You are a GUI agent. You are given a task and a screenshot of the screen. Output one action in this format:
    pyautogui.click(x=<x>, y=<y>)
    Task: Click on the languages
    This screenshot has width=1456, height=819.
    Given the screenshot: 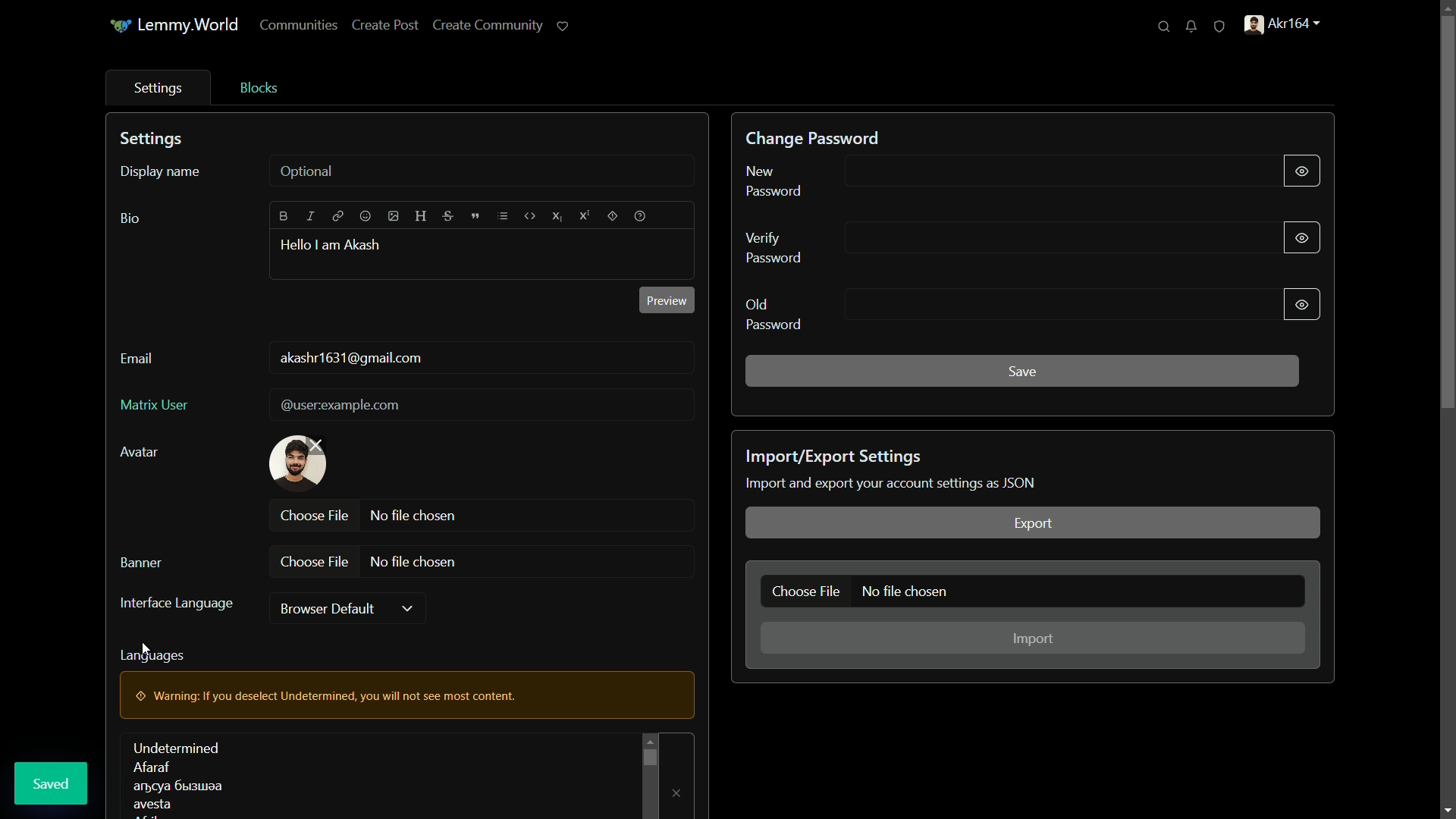 What is the action you would take?
    pyautogui.click(x=152, y=657)
    